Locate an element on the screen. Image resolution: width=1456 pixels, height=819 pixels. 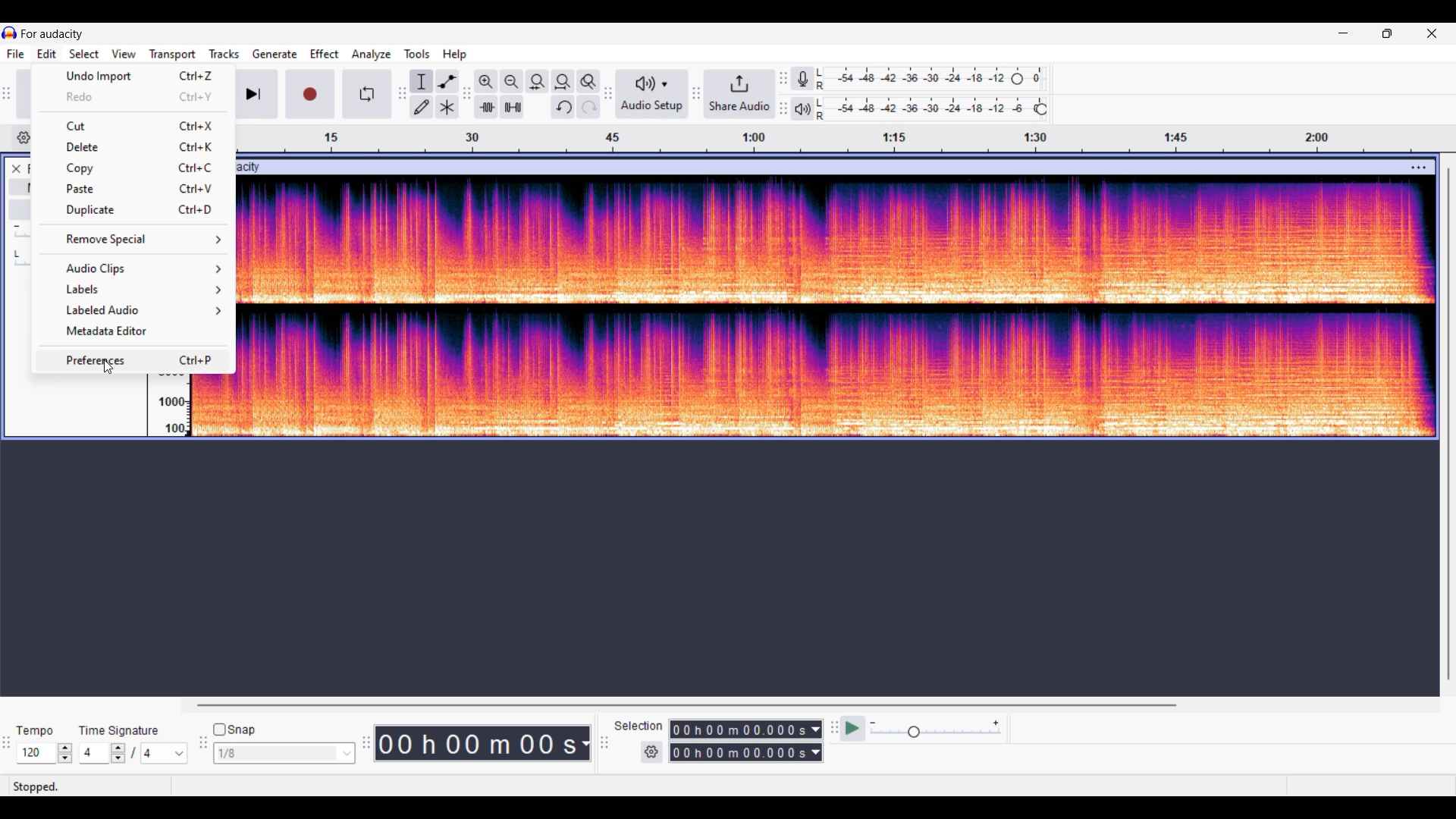
Indicates Tempo settings is located at coordinates (36, 731).